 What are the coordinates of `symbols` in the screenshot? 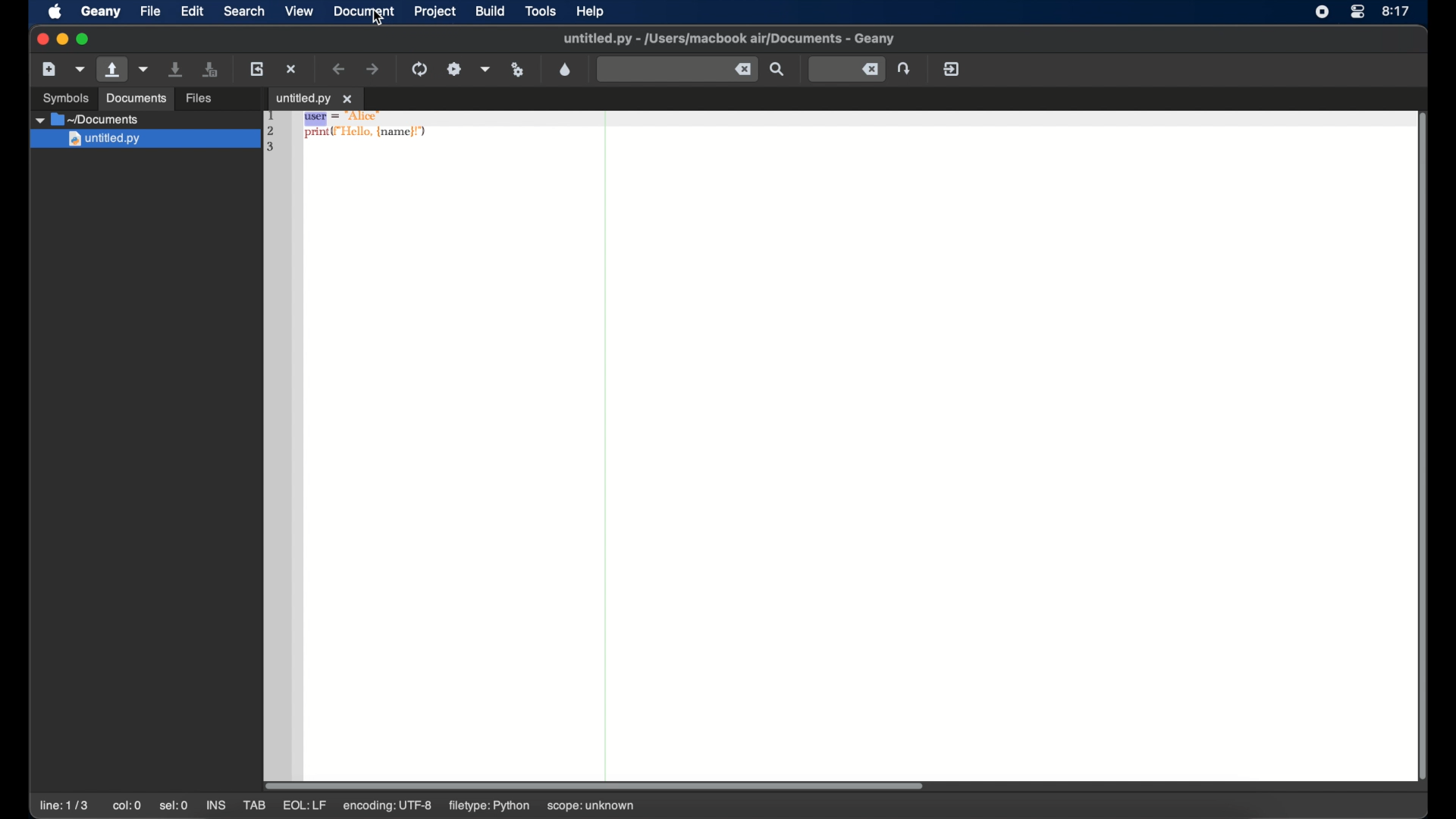 It's located at (67, 98).